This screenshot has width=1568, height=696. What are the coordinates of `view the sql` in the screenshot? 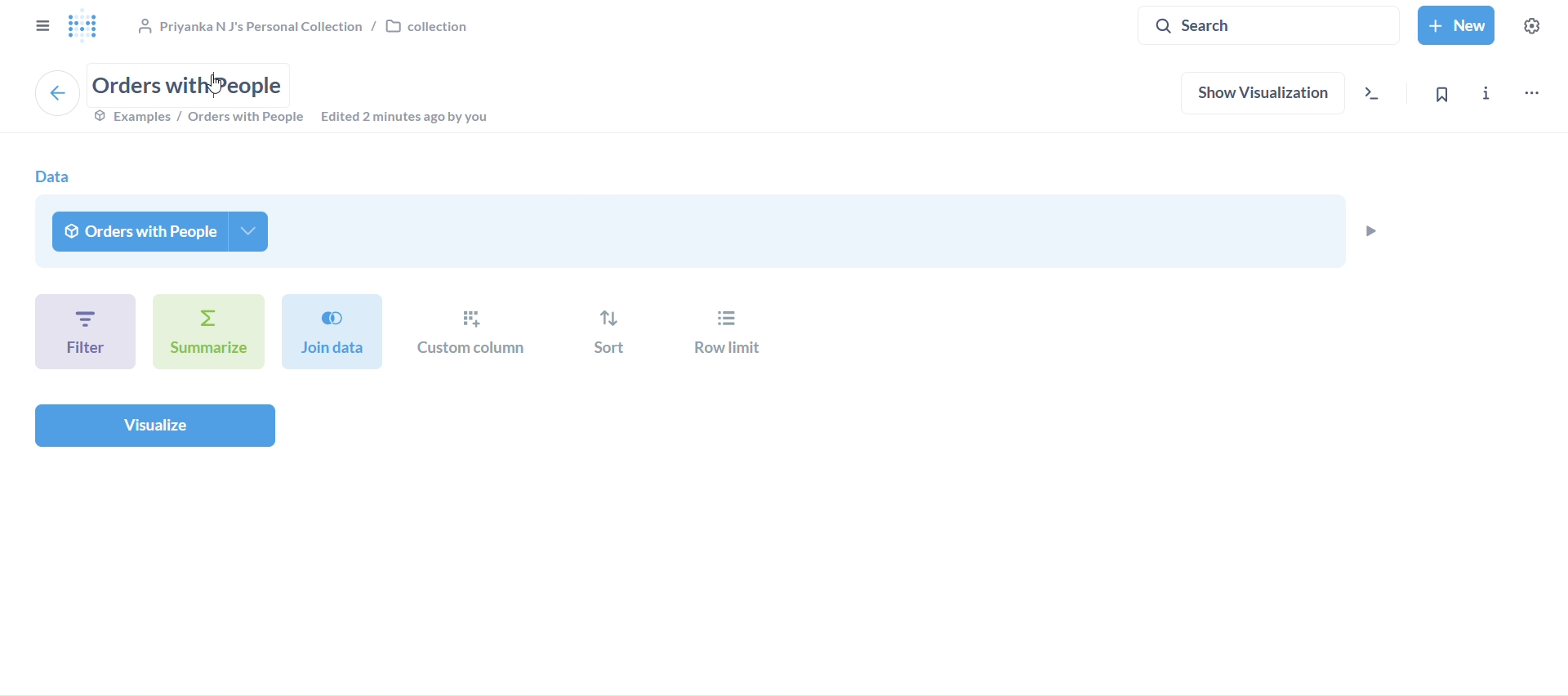 It's located at (1378, 96).